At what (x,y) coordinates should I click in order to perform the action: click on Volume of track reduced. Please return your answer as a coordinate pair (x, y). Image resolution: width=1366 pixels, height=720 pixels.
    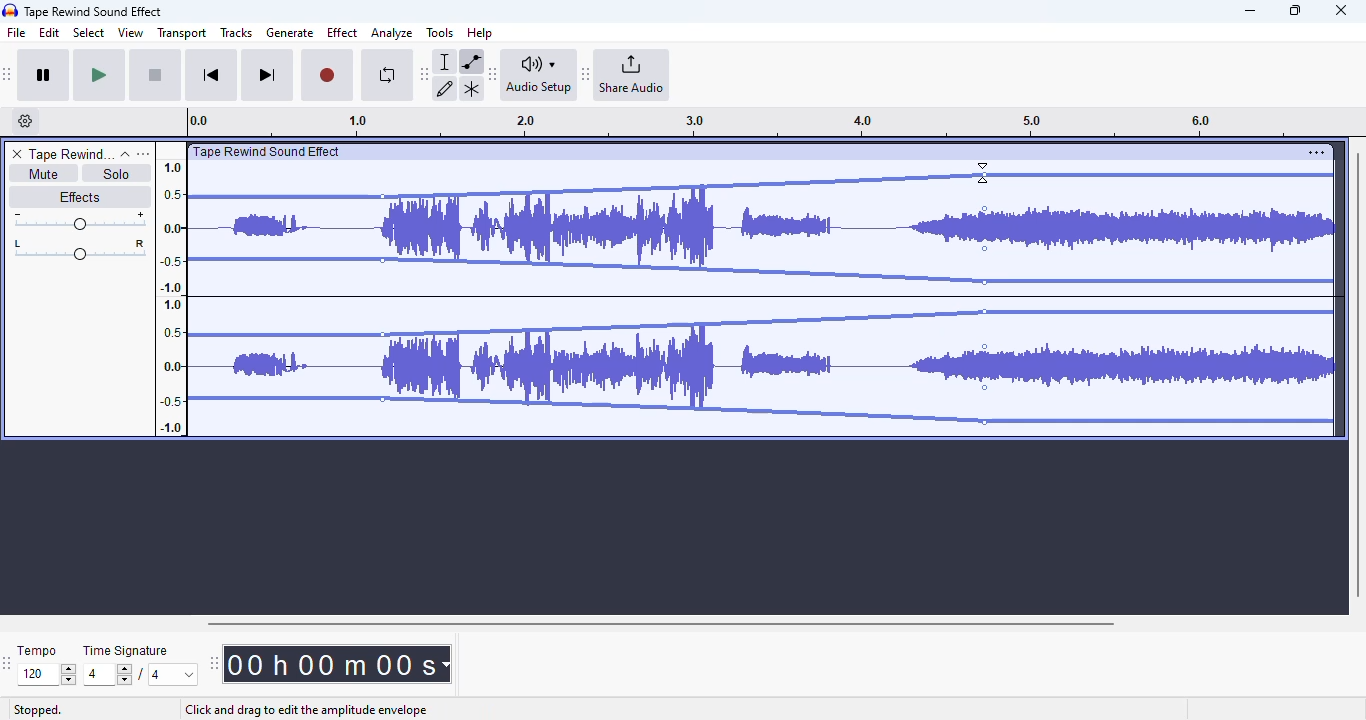
    Looking at the image, I should click on (684, 291).